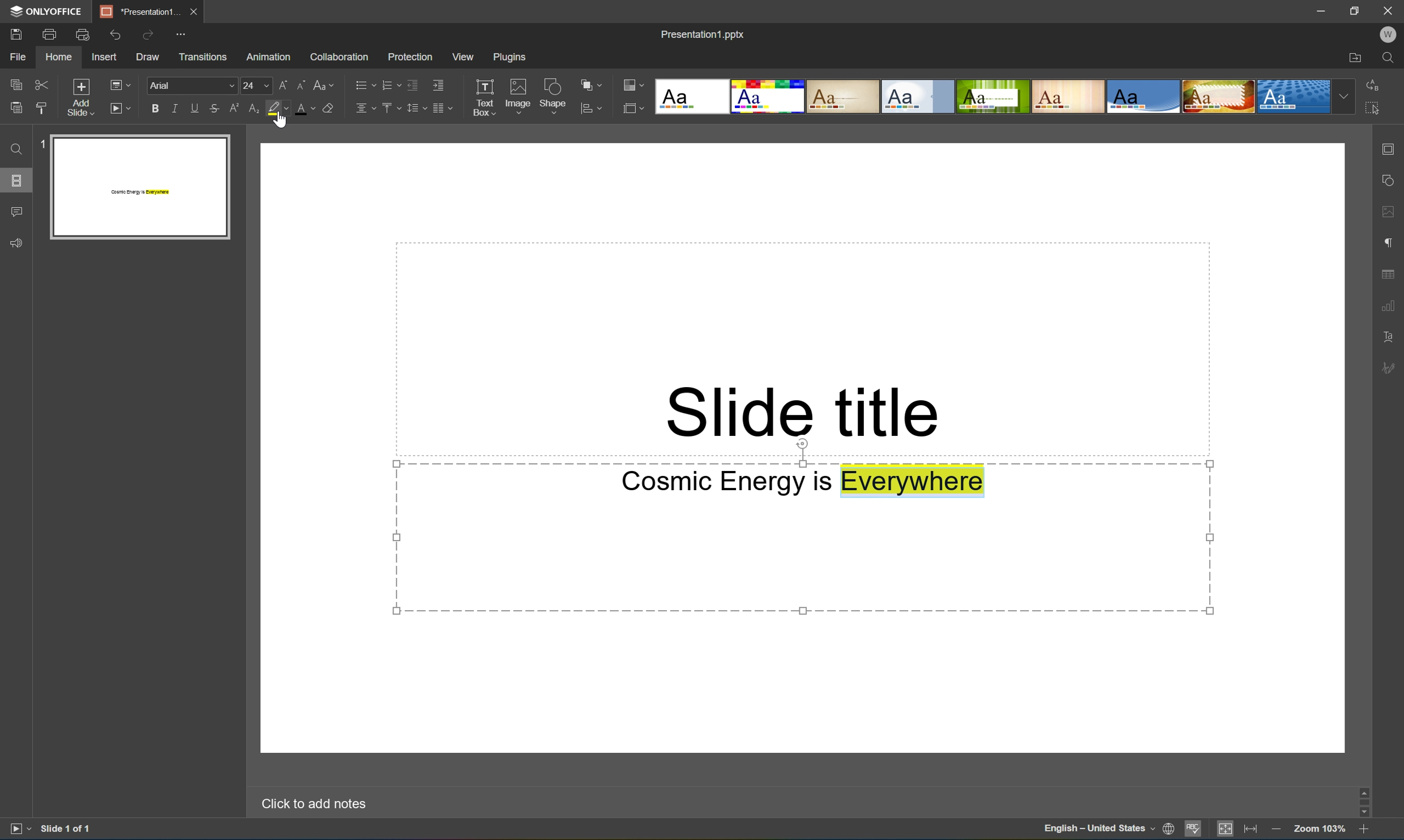  Describe the element at coordinates (195, 106) in the screenshot. I see `Underline` at that location.